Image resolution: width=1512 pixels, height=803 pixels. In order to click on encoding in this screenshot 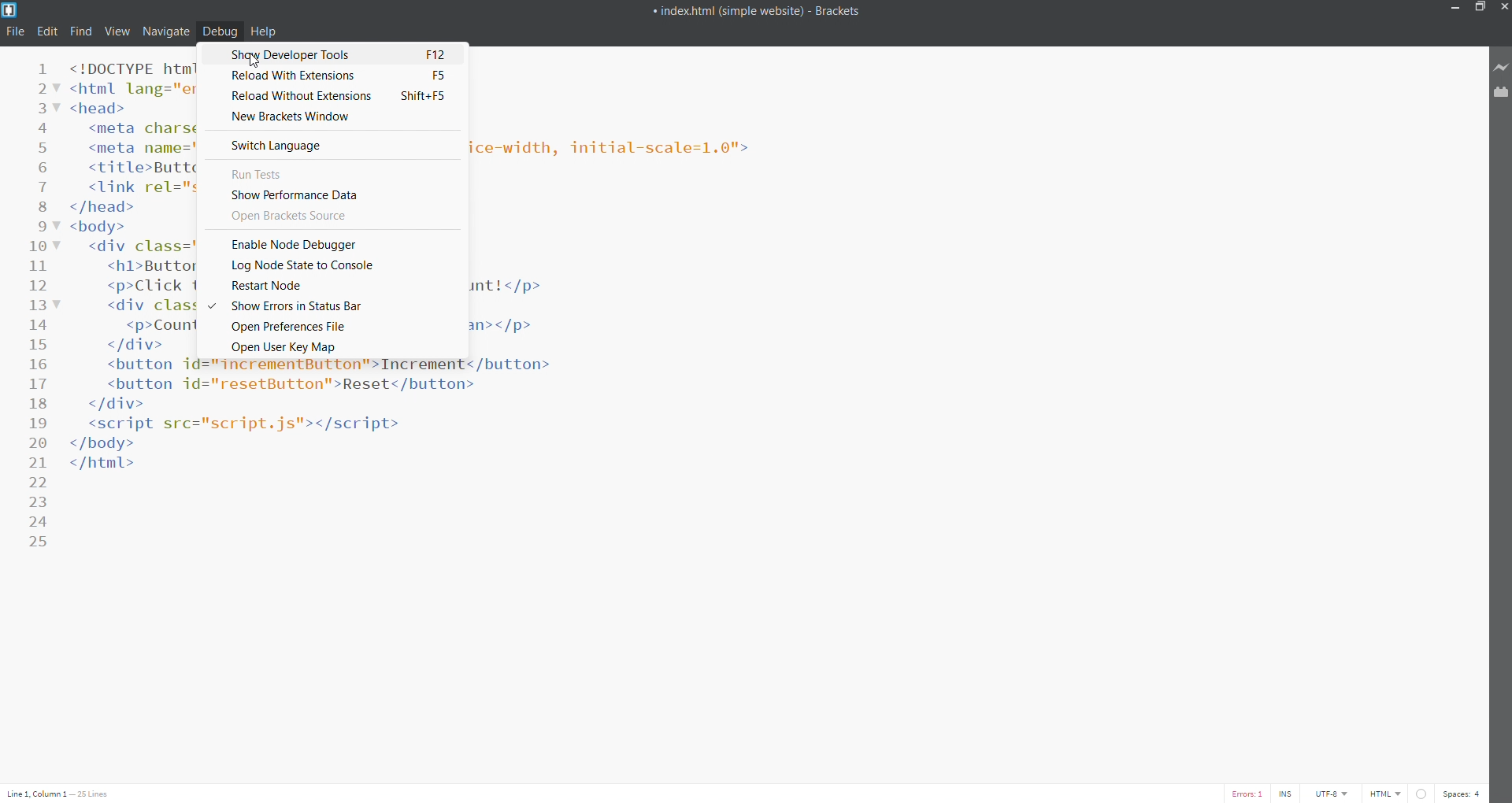, I will do `click(1336, 794)`.